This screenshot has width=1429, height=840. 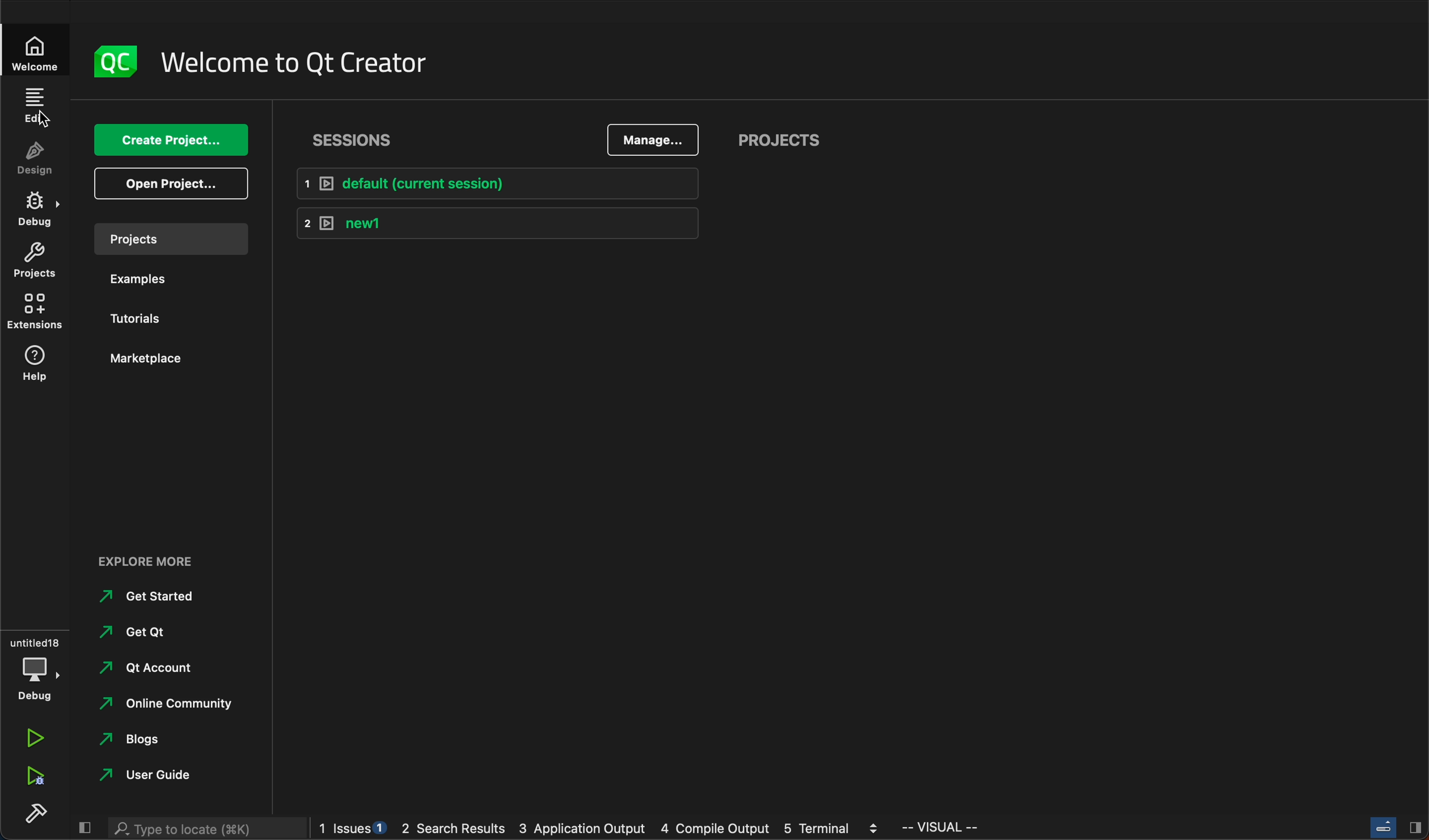 What do you see at coordinates (34, 740) in the screenshot?
I see `run` at bounding box center [34, 740].